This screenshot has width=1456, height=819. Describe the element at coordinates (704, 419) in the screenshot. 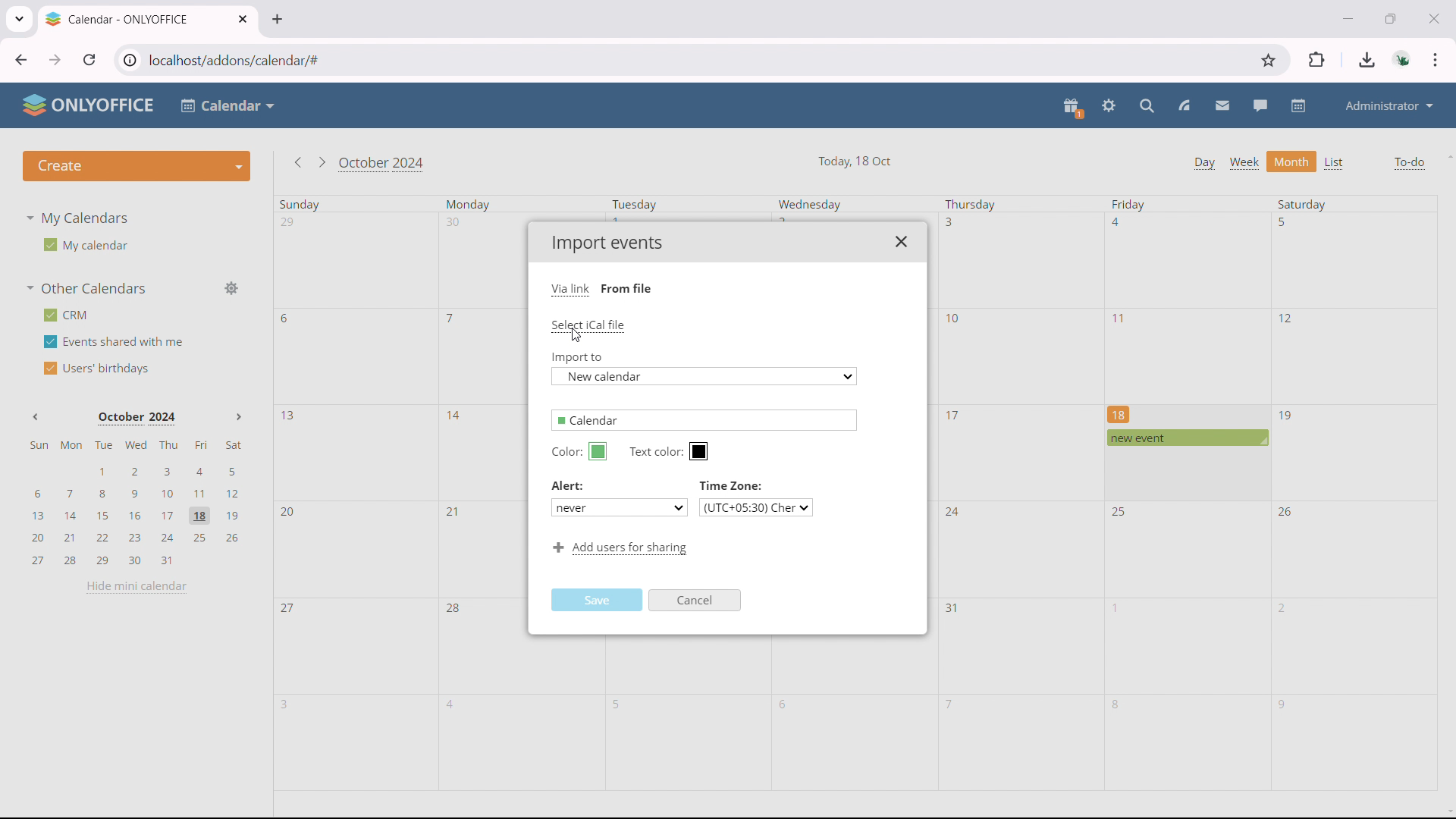

I see `Calendar` at that location.